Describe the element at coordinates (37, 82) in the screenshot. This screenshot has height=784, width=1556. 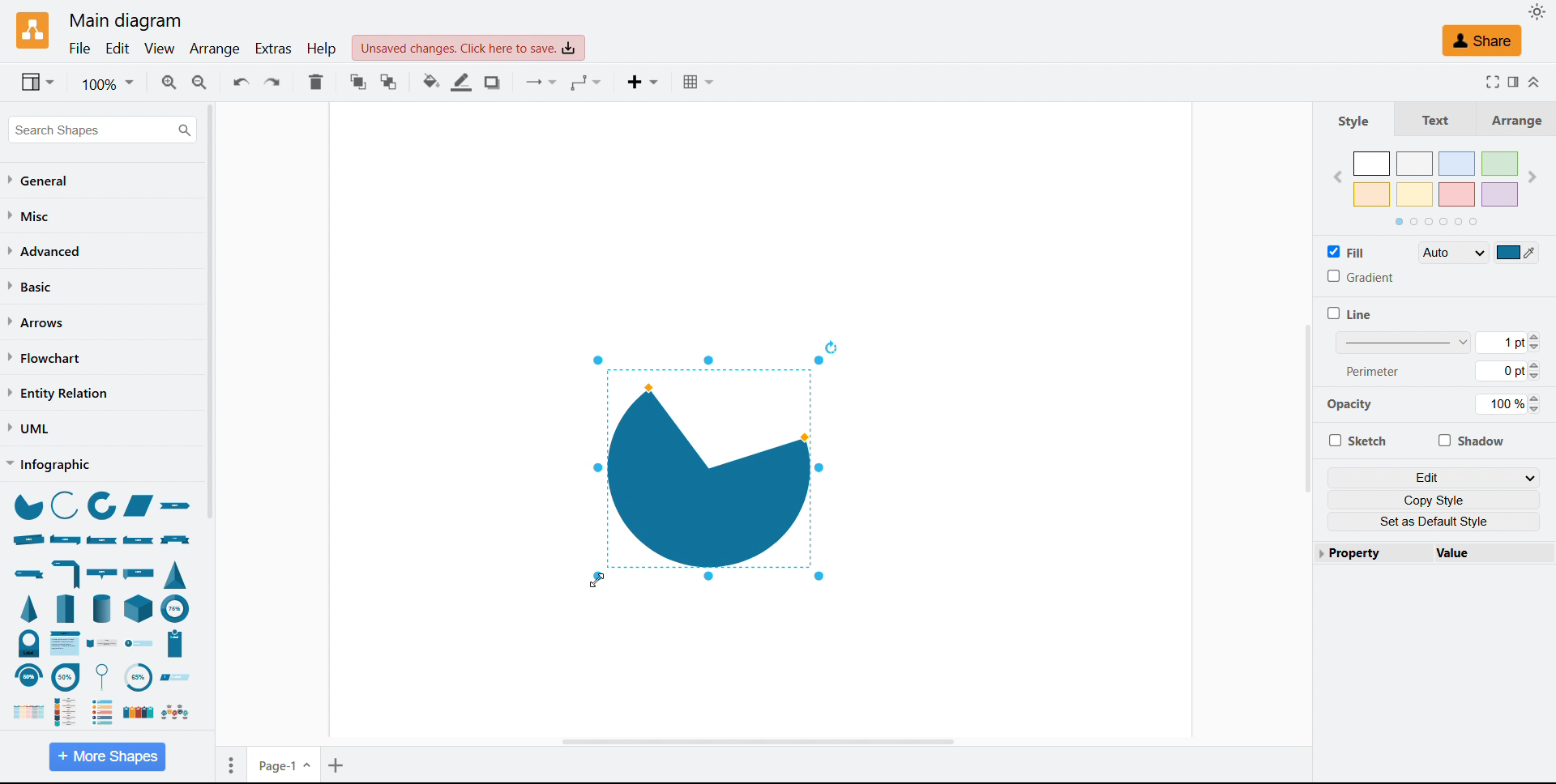
I see `Display options ` at that location.